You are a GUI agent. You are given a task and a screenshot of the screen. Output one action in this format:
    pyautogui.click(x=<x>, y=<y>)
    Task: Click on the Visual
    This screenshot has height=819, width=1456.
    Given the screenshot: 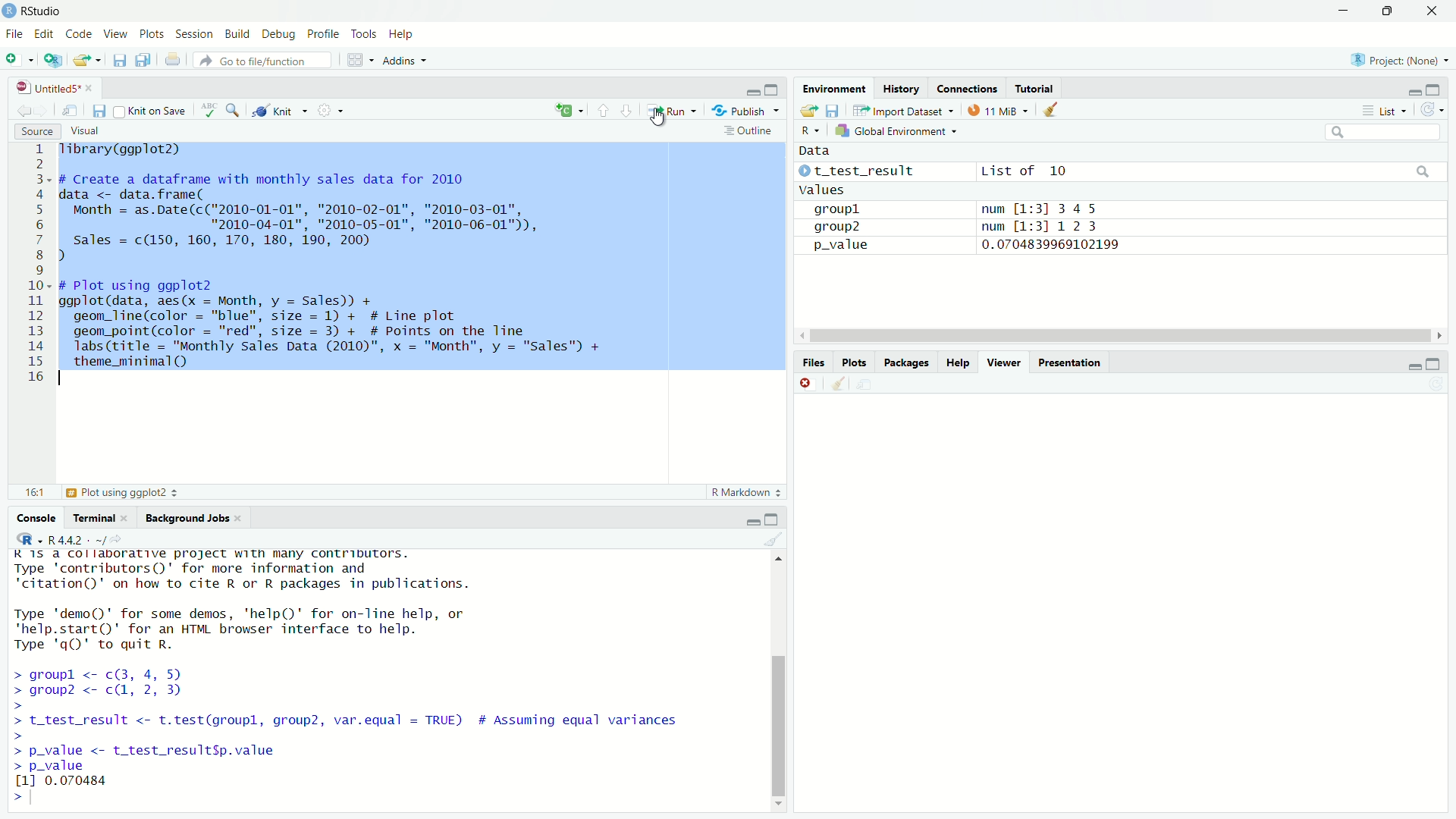 What is the action you would take?
    pyautogui.click(x=86, y=130)
    